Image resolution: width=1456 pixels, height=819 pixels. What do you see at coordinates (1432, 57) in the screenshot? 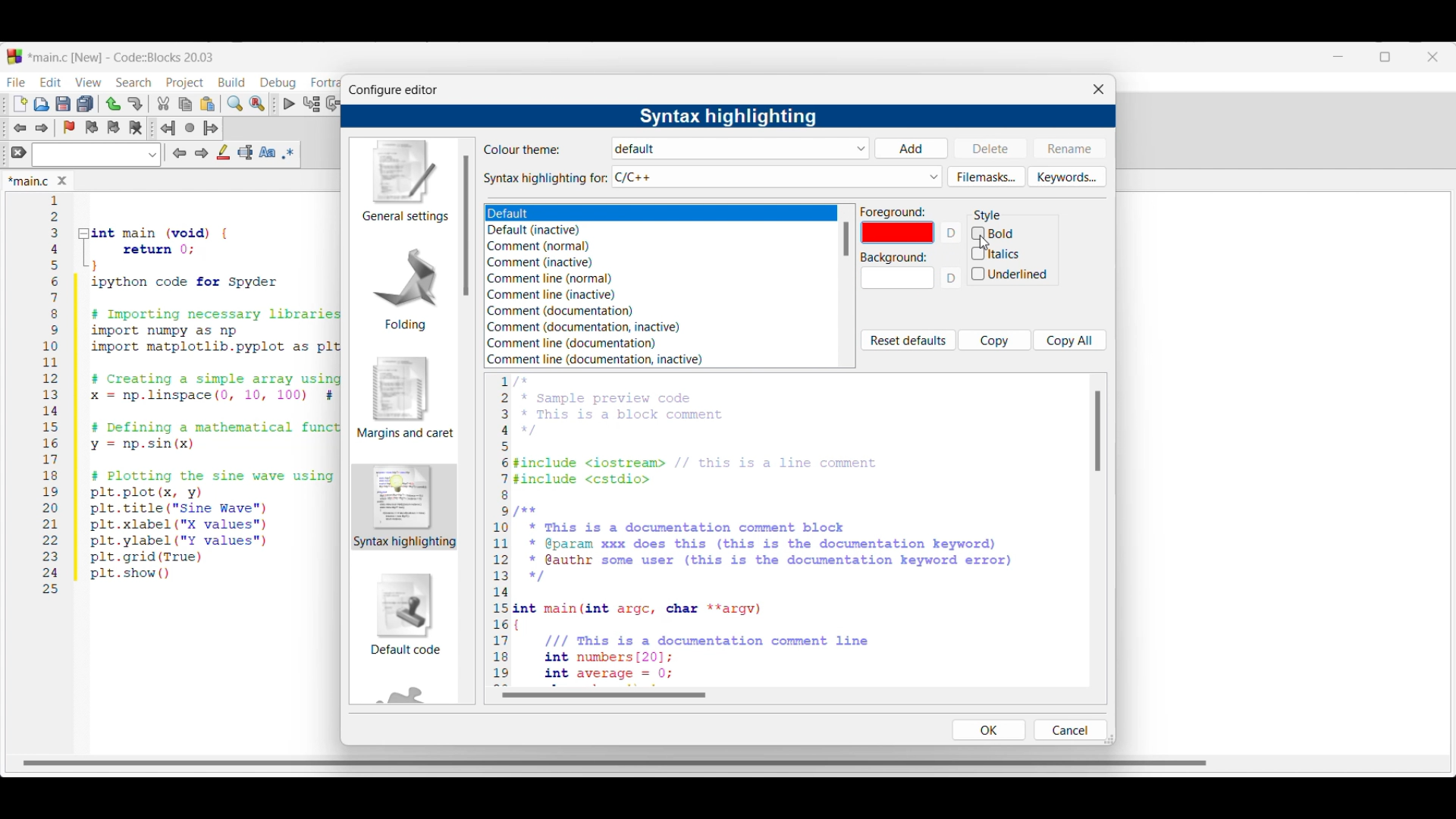
I see `Close interface` at bounding box center [1432, 57].